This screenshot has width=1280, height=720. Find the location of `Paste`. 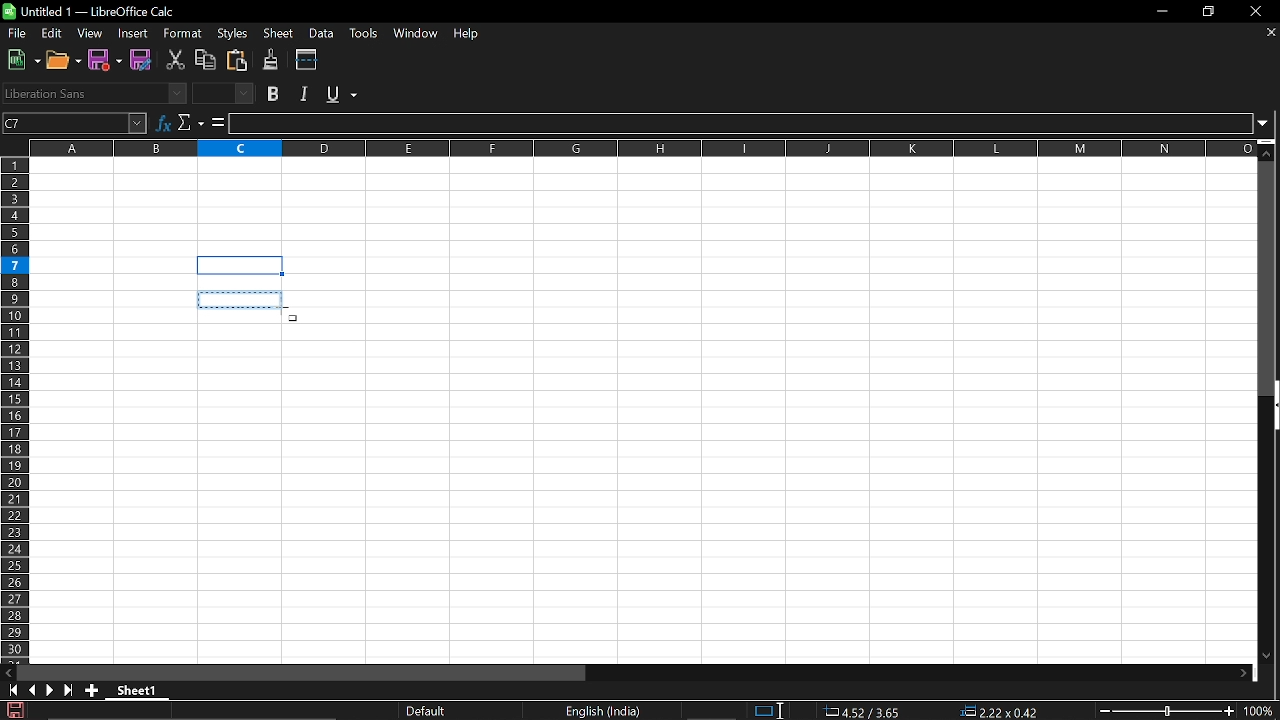

Paste is located at coordinates (235, 60).